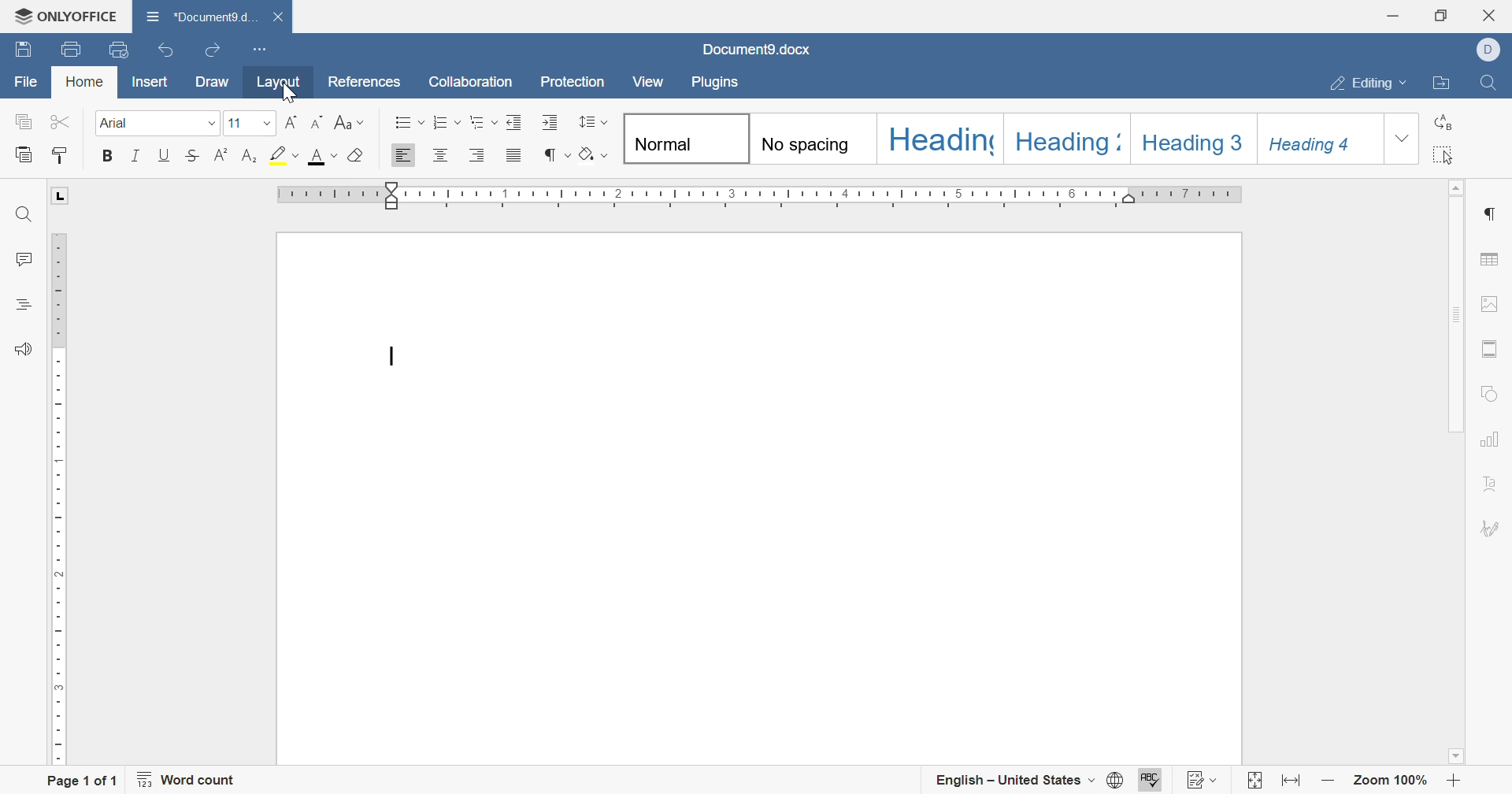 This screenshot has height=794, width=1512. Describe the element at coordinates (146, 83) in the screenshot. I see `insert` at that location.